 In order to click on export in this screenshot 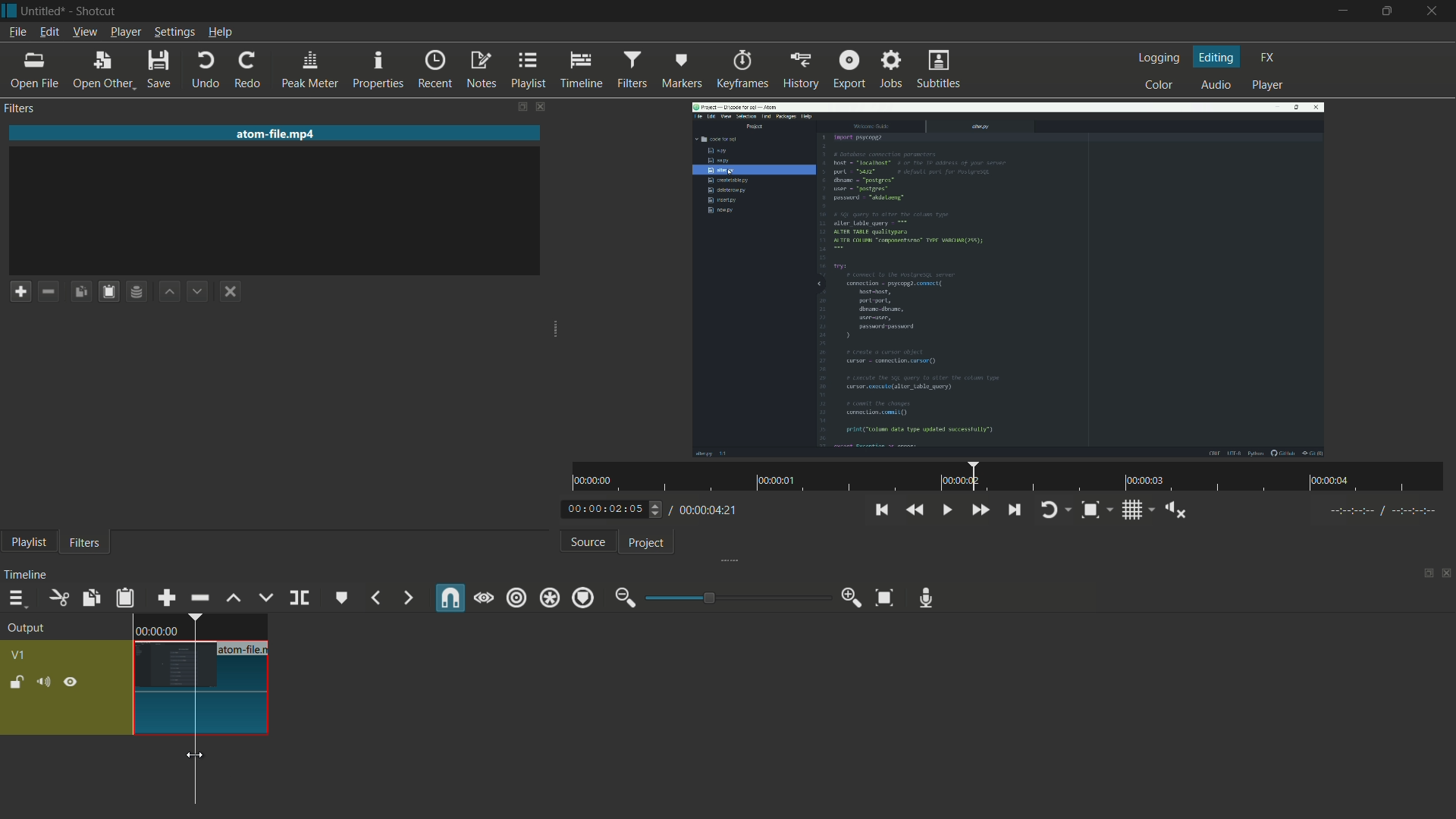, I will do `click(849, 71)`.